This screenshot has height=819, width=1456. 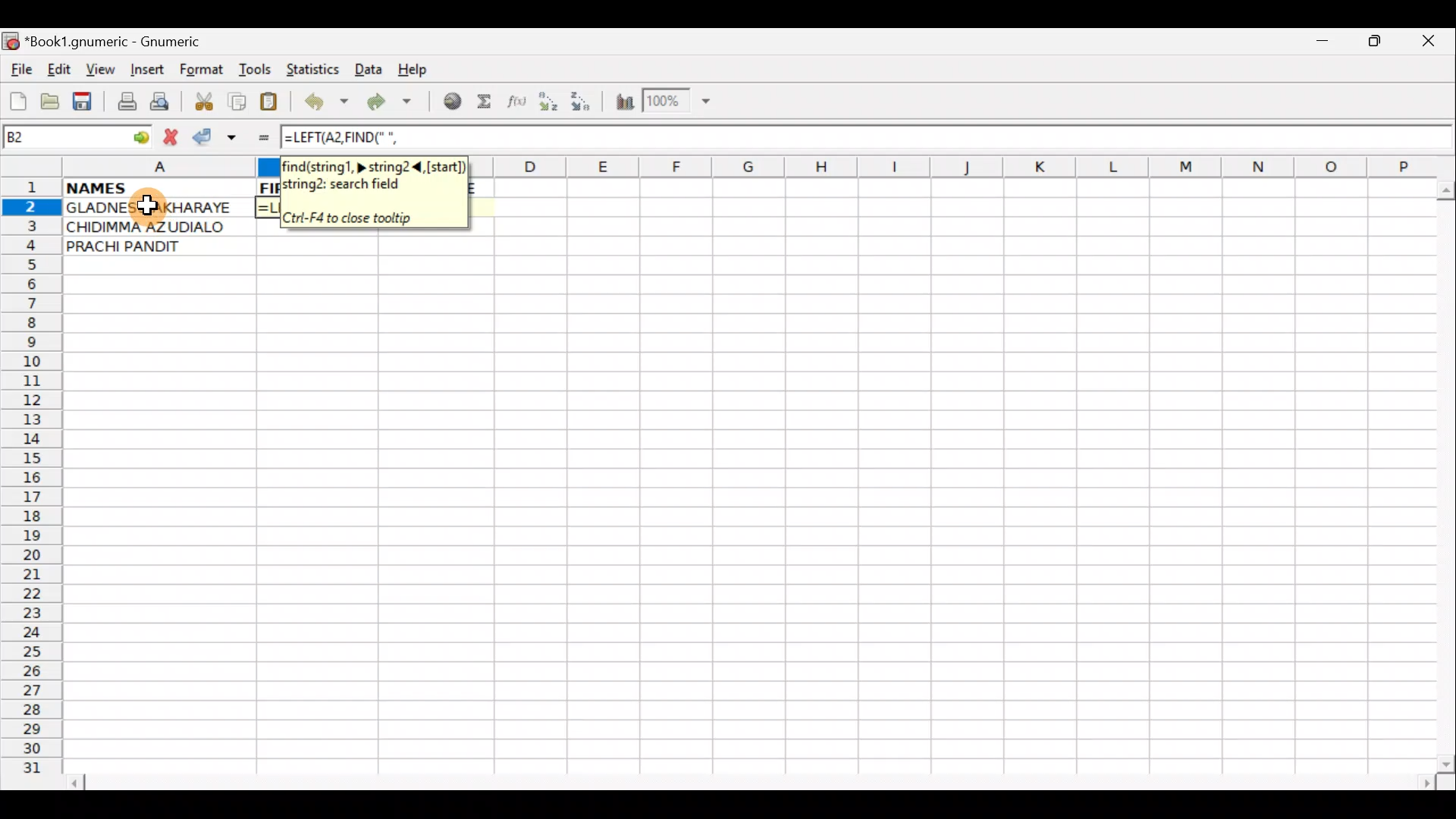 I want to click on Accept change, so click(x=215, y=137).